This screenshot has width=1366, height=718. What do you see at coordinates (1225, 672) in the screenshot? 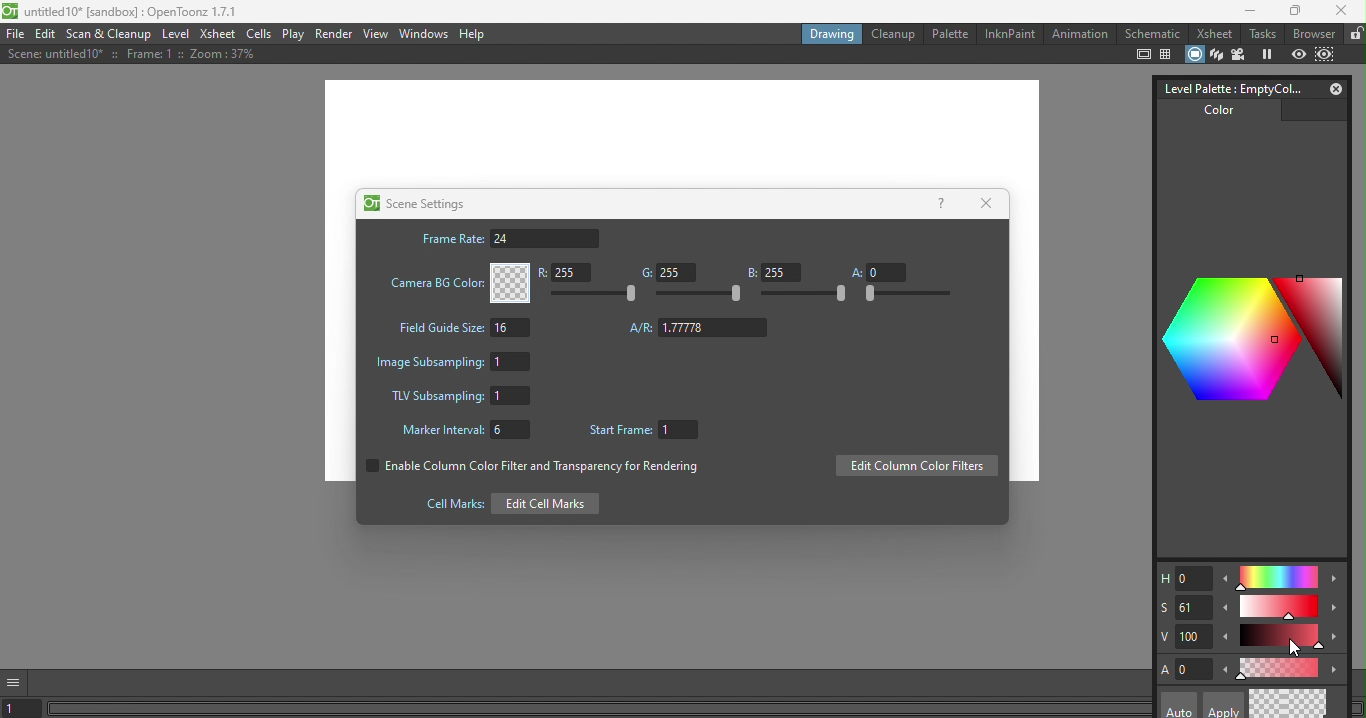
I see `Decrease` at bounding box center [1225, 672].